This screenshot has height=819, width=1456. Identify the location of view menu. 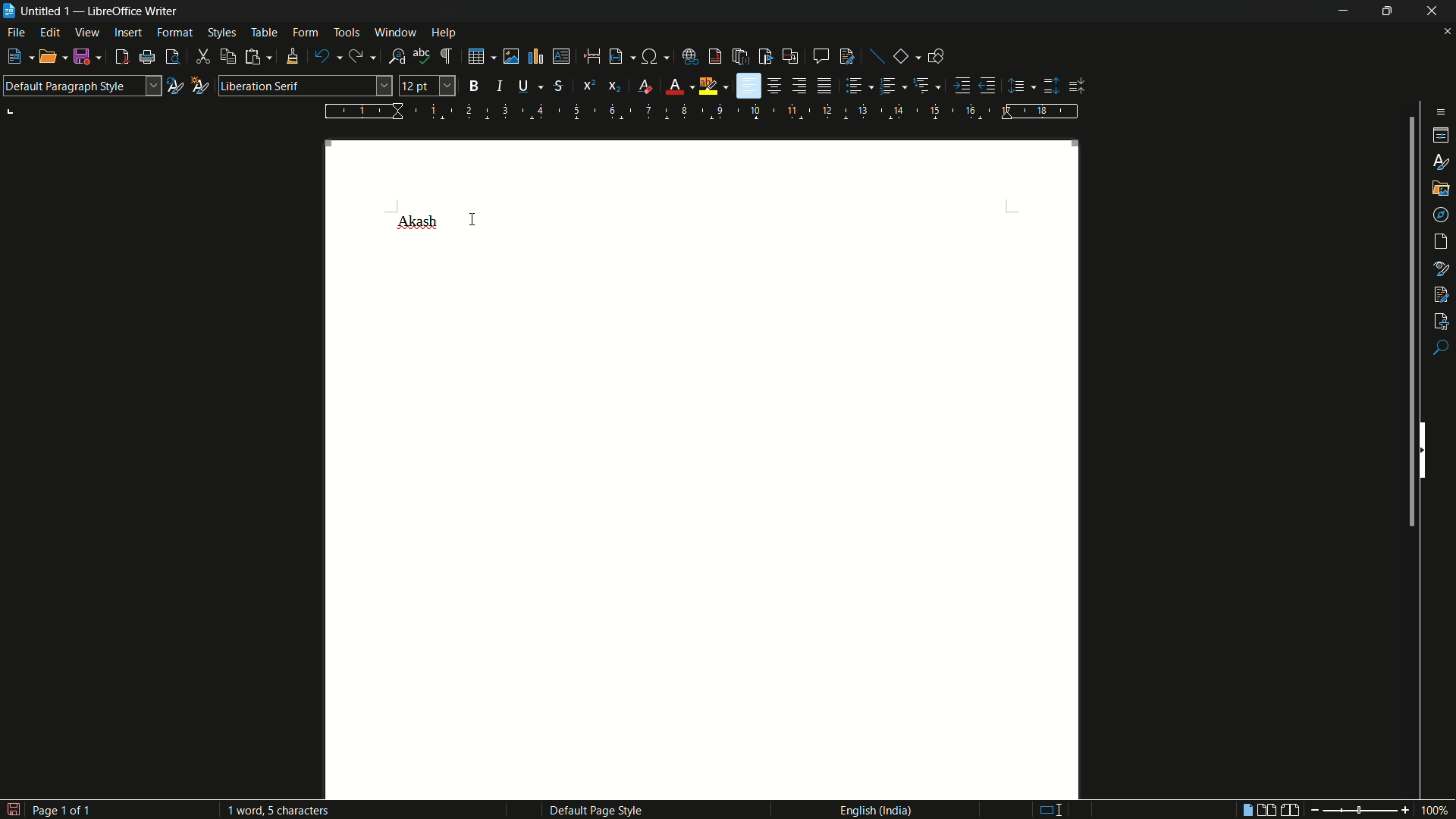
(87, 33).